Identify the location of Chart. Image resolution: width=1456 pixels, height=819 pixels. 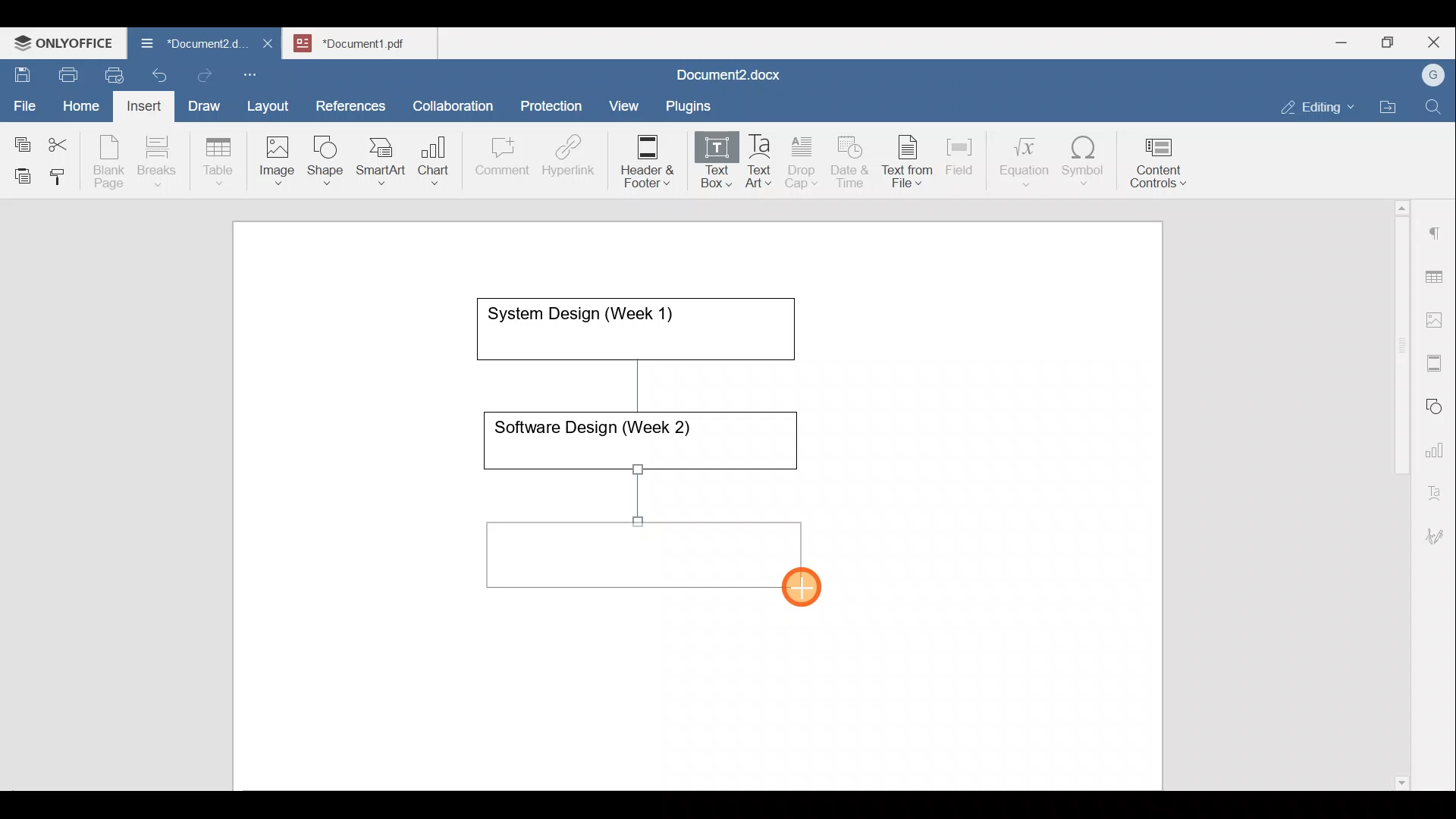
(431, 162).